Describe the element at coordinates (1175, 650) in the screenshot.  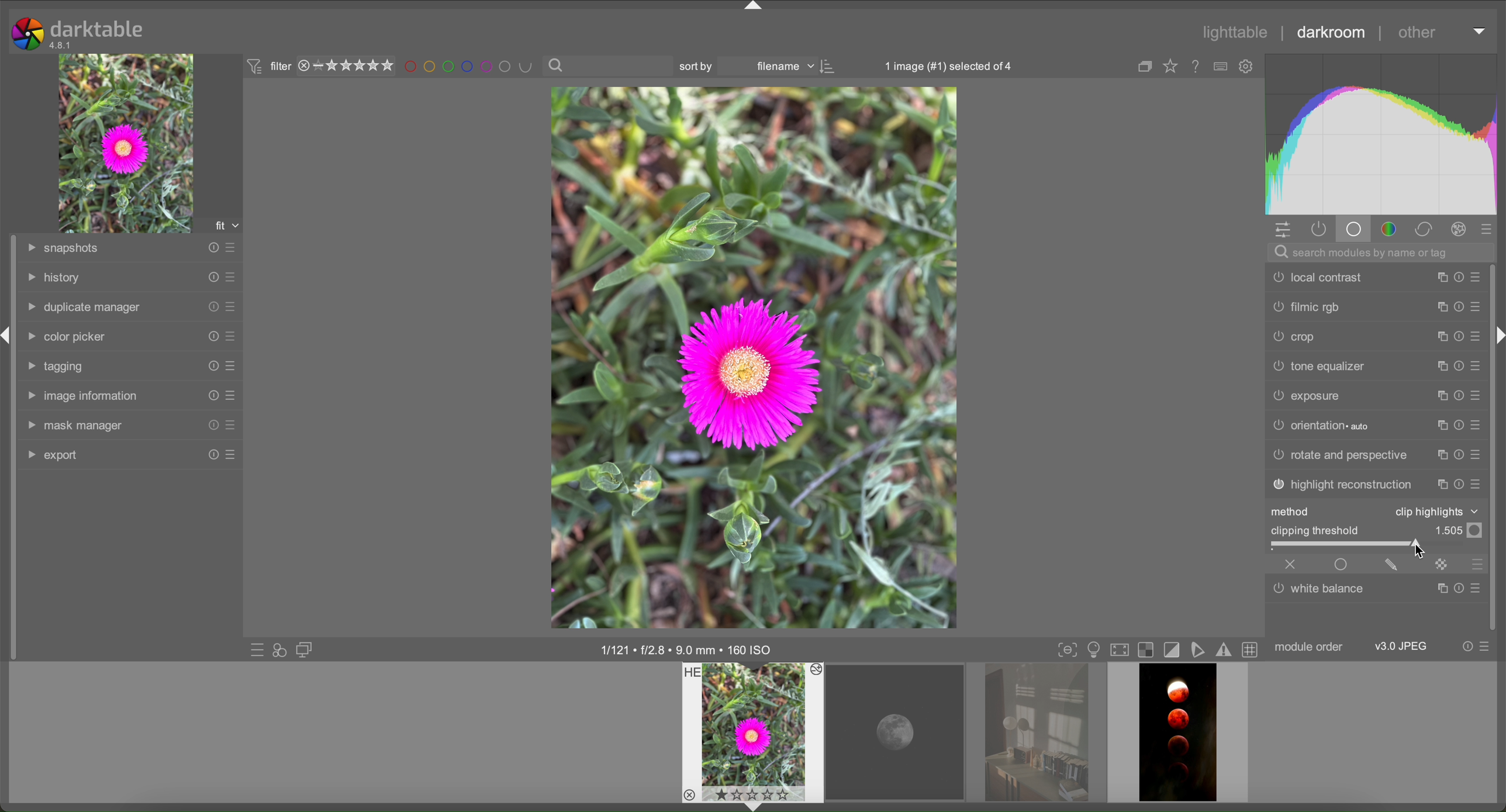
I see `toggle cliping indication` at that location.